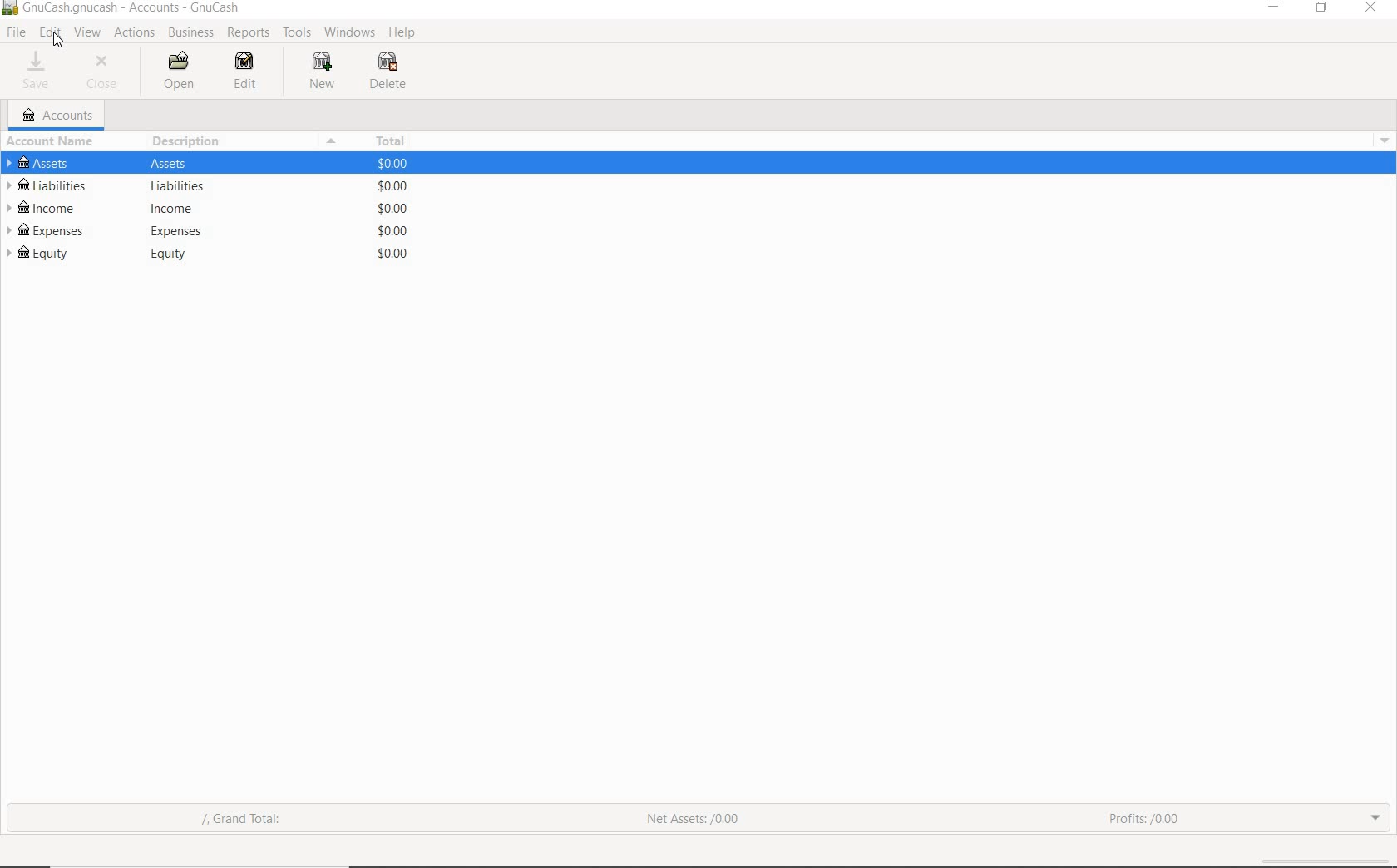 The width and height of the screenshot is (1397, 868). What do you see at coordinates (1376, 818) in the screenshot?
I see `expand` at bounding box center [1376, 818].